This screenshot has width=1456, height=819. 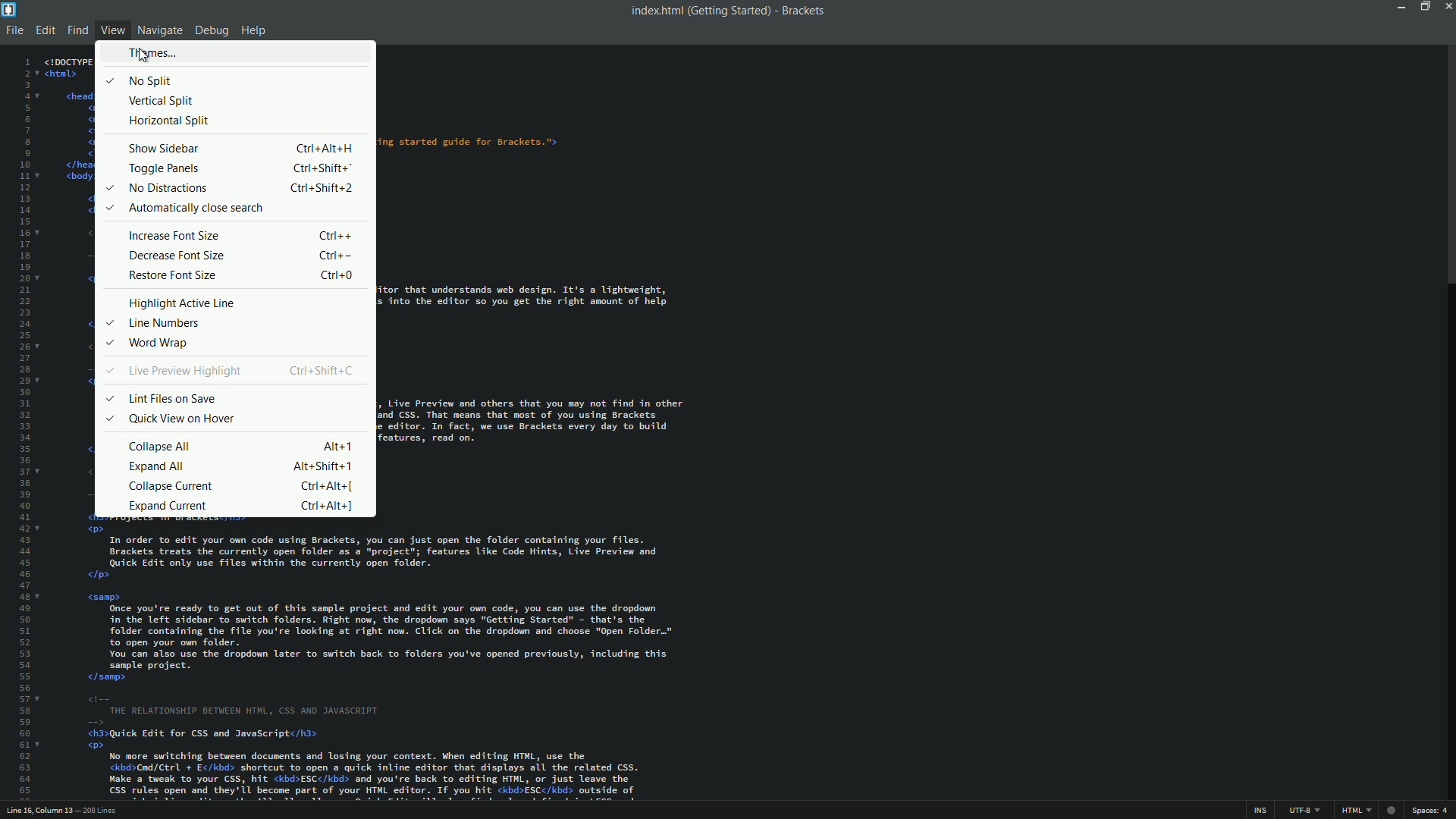 What do you see at coordinates (171, 485) in the screenshot?
I see `collapse current` at bounding box center [171, 485].